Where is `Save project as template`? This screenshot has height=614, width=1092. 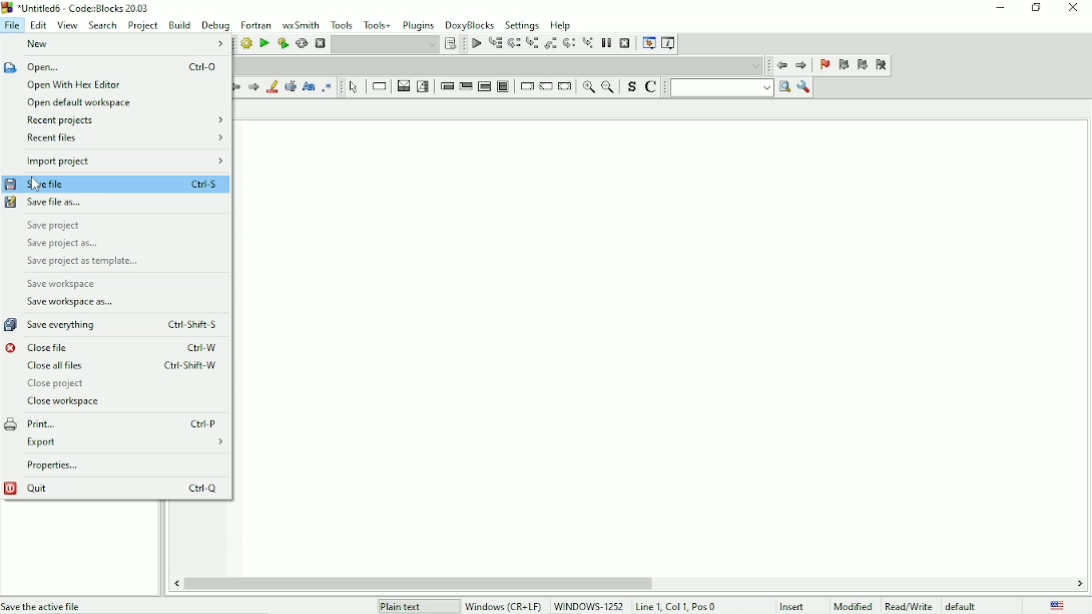
Save project as template is located at coordinates (89, 262).